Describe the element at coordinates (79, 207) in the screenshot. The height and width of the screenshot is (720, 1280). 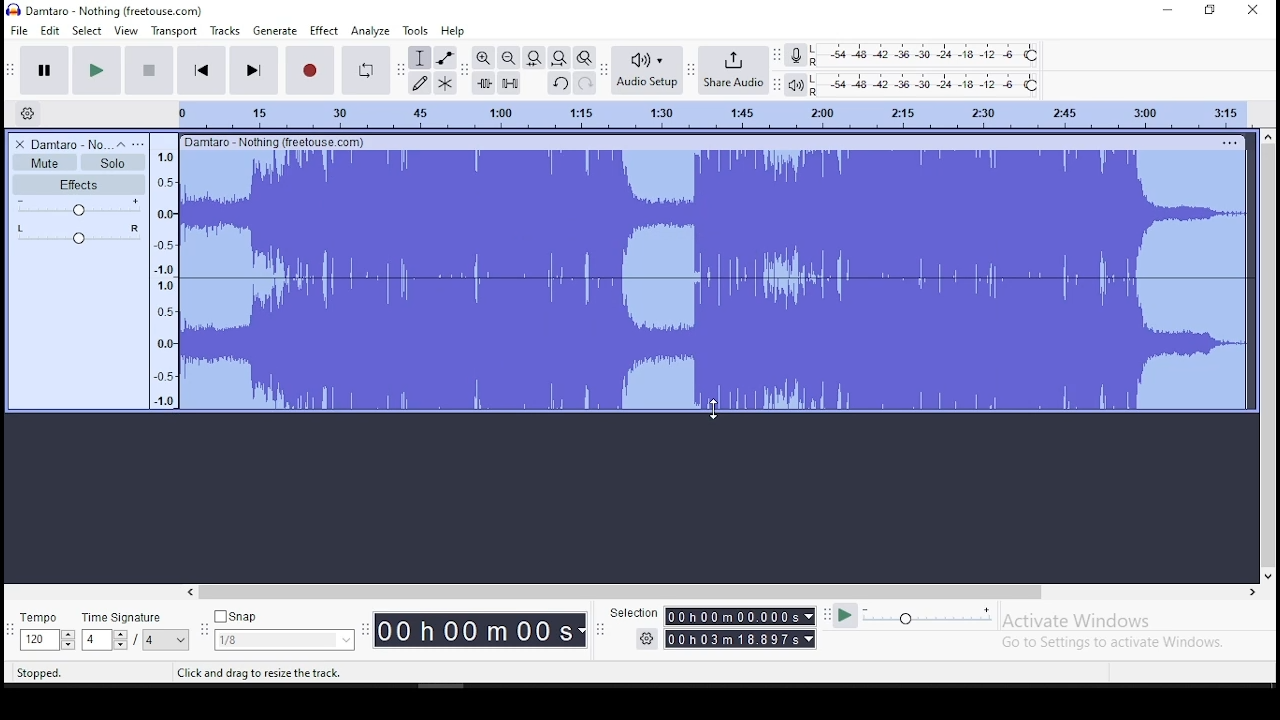
I see `volume` at that location.